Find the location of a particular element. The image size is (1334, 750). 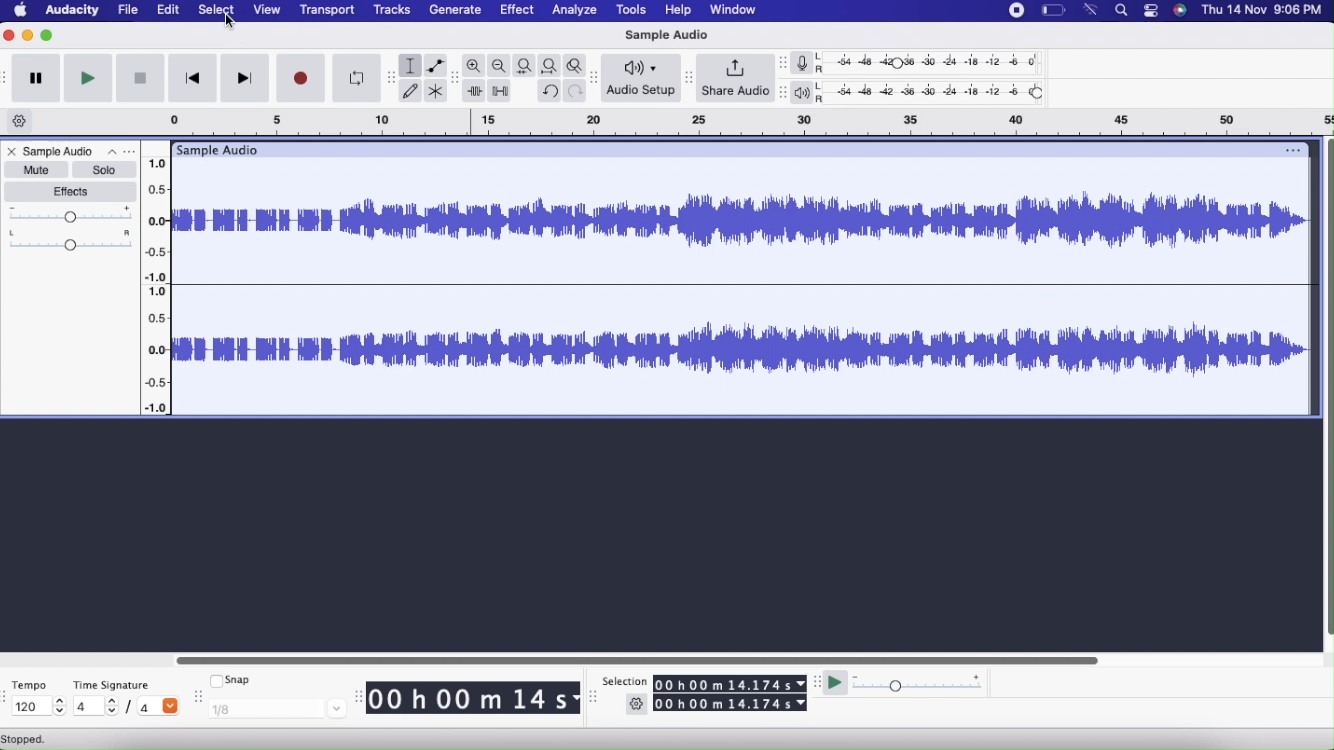

Play is located at coordinates (90, 78).